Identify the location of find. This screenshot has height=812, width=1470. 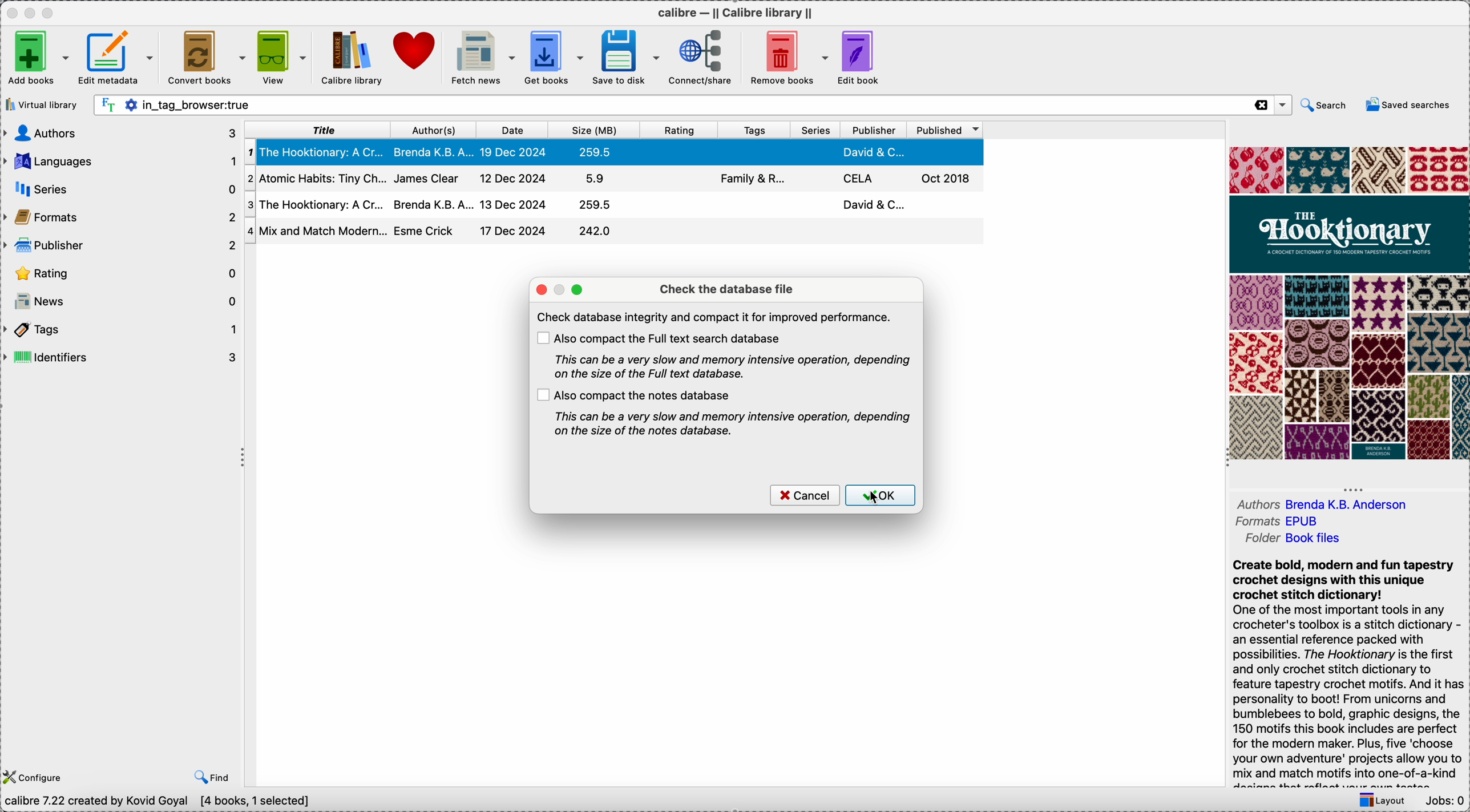
(208, 778).